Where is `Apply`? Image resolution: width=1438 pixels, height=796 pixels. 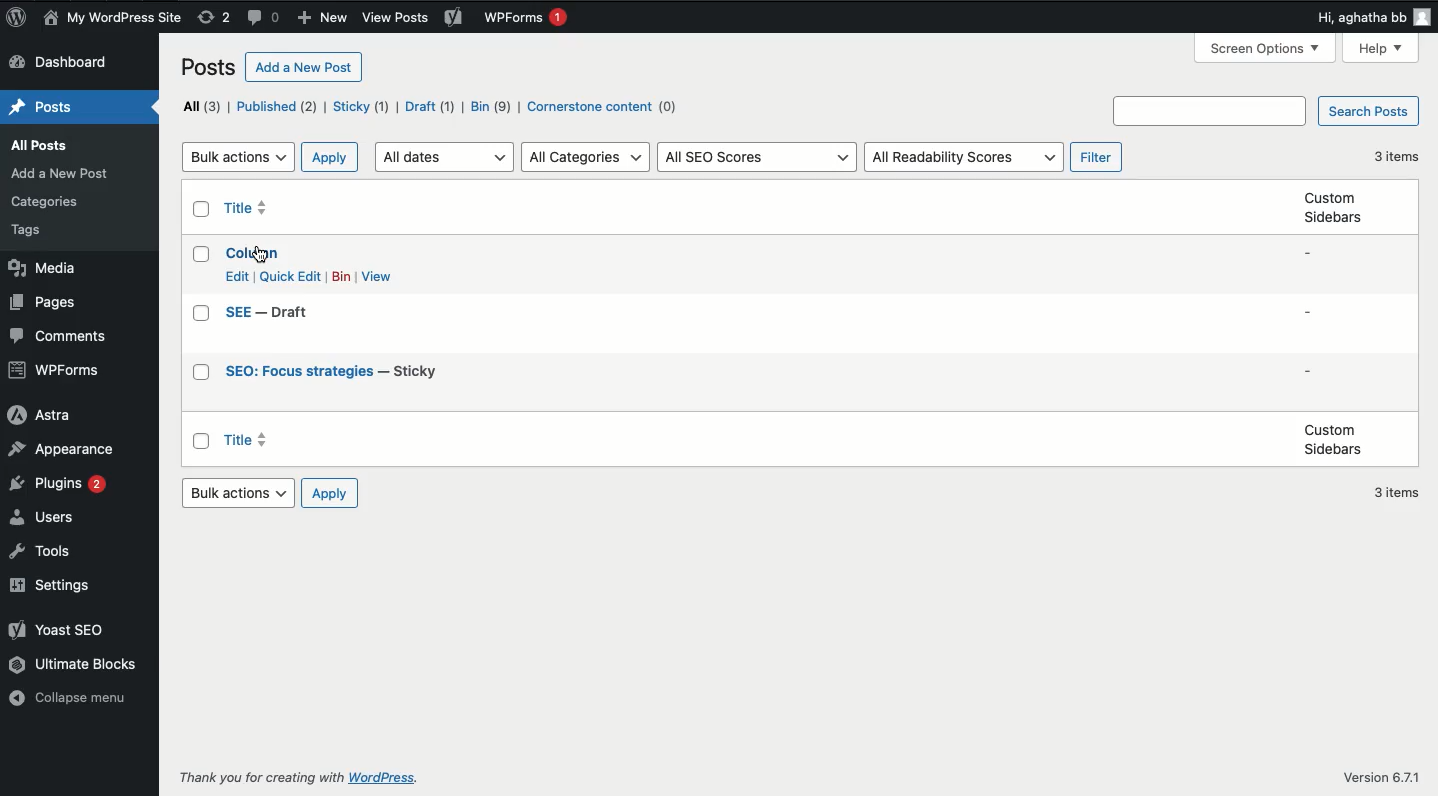
Apply is located at coordinates (330, 492).